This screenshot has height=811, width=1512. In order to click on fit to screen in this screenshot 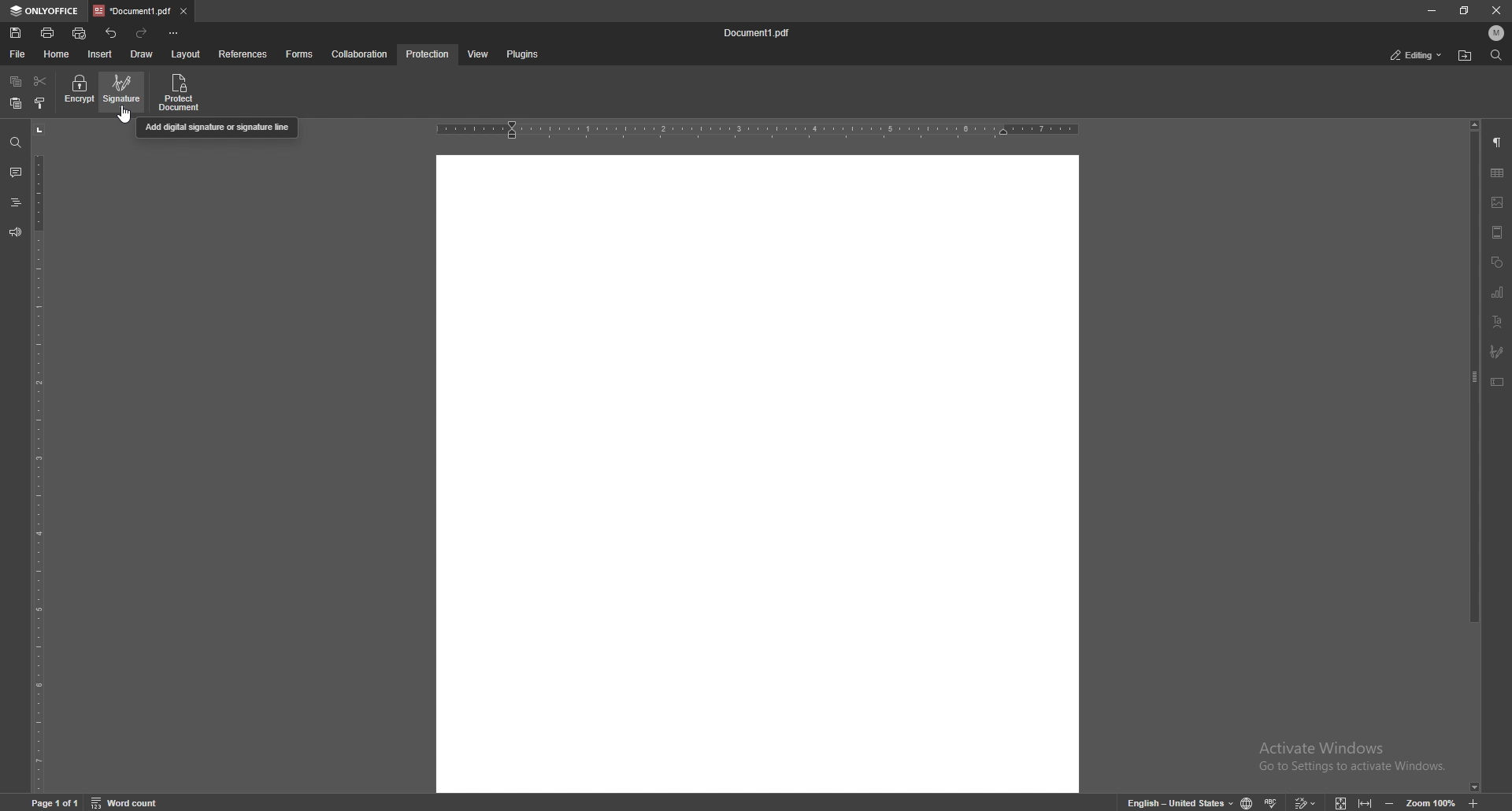, I will do `click(1336, 801)`.